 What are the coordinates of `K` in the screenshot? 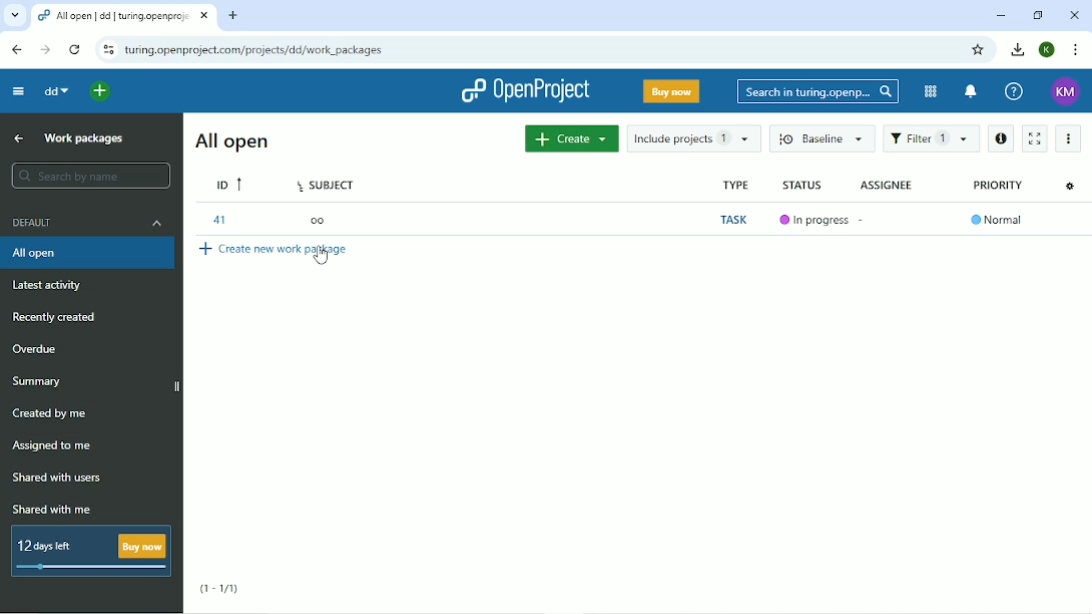 It's located at (1046, 50).